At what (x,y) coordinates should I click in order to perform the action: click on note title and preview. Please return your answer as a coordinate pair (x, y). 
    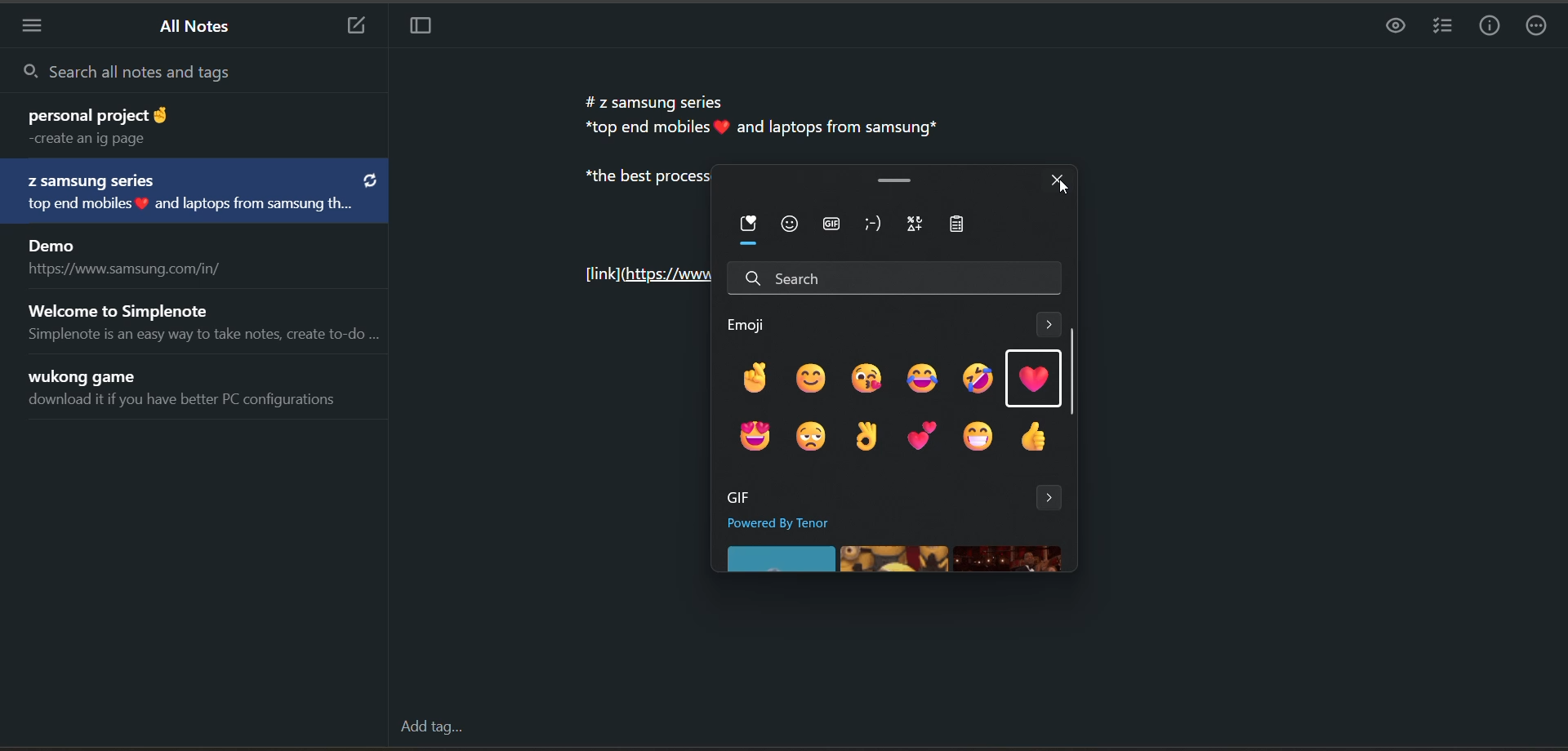
    Looking at the image, I should click on (199, 321).